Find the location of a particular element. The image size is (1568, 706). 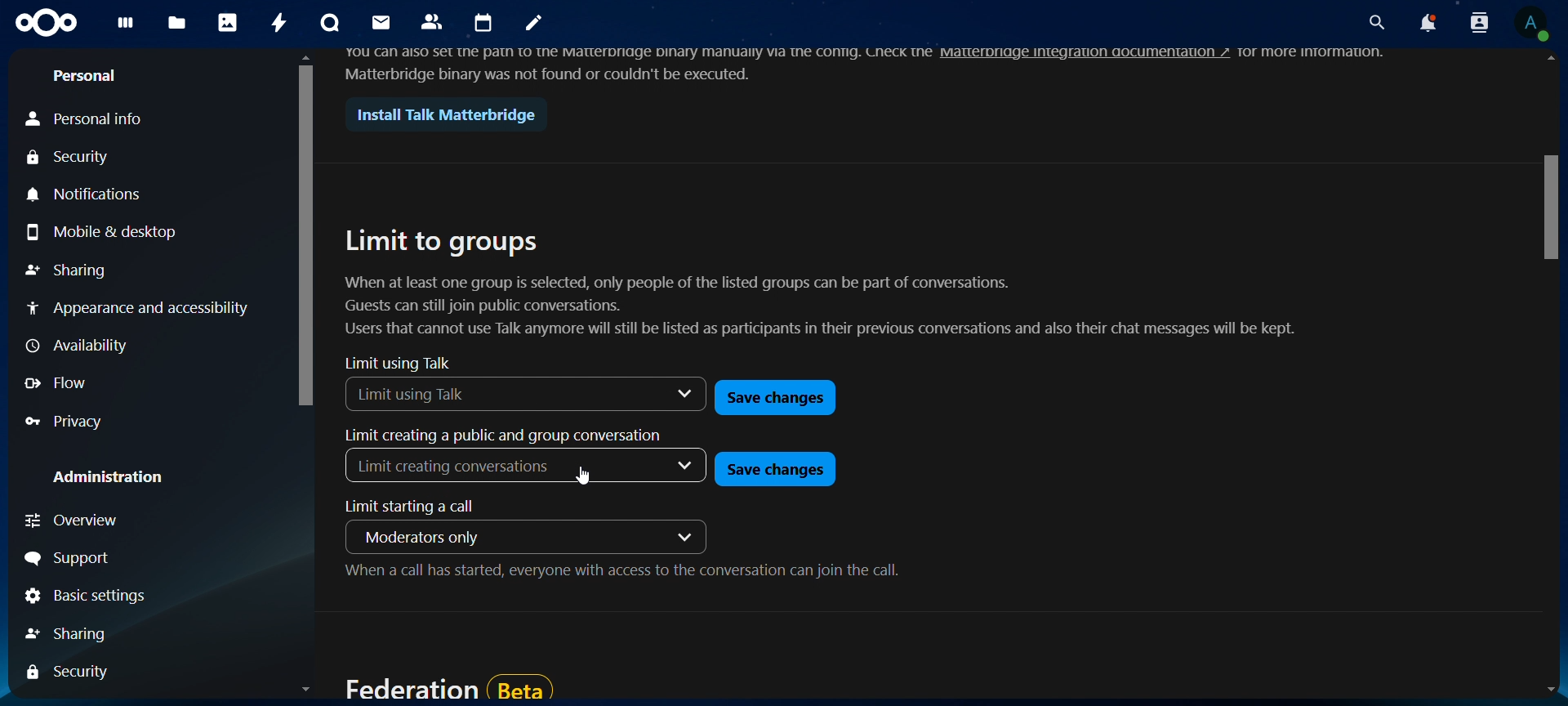

files is located at coordinates (178, 23).